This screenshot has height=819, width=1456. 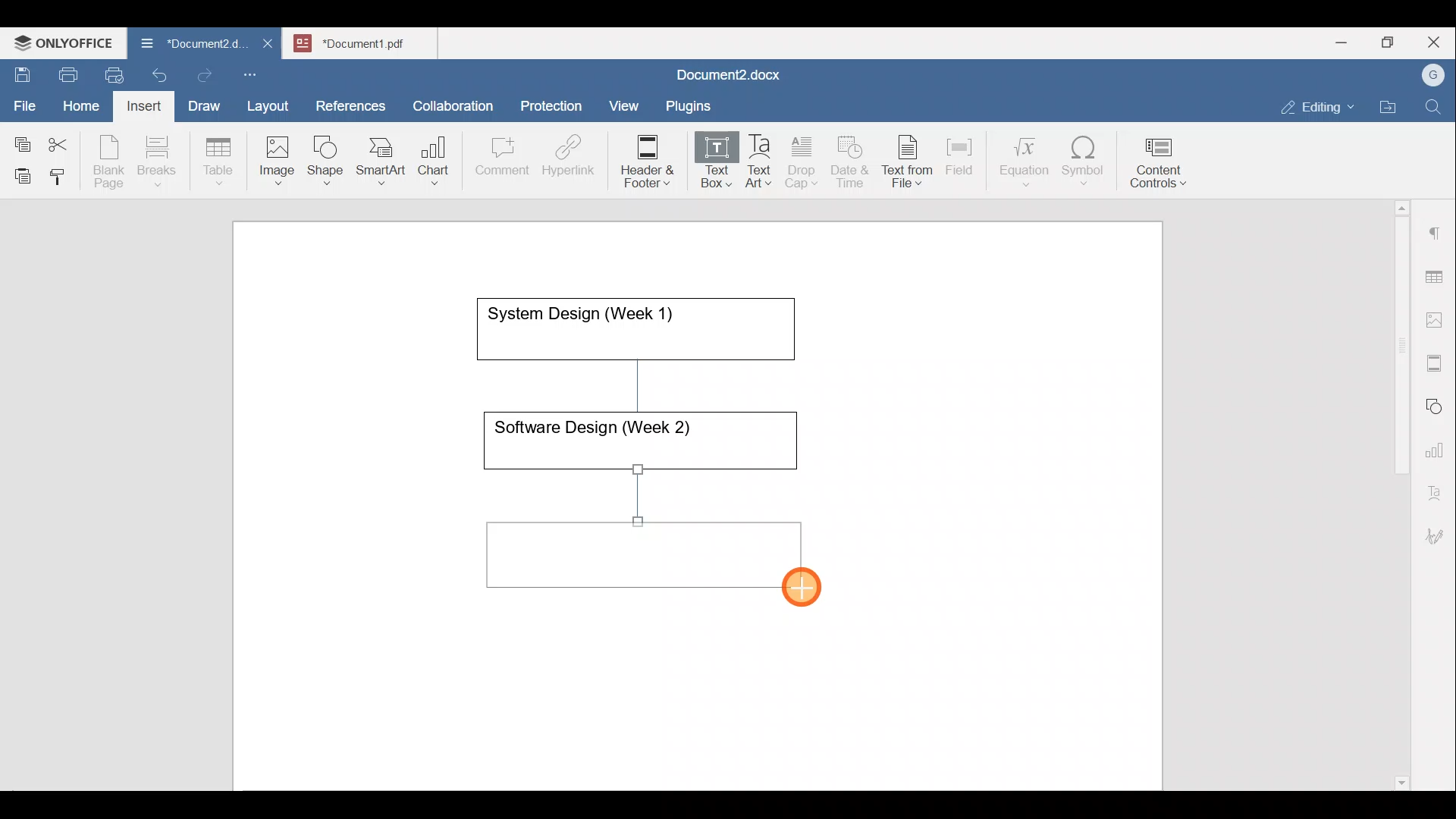 I want to click on ONLYOFFICE, so click(x=64, y=42).